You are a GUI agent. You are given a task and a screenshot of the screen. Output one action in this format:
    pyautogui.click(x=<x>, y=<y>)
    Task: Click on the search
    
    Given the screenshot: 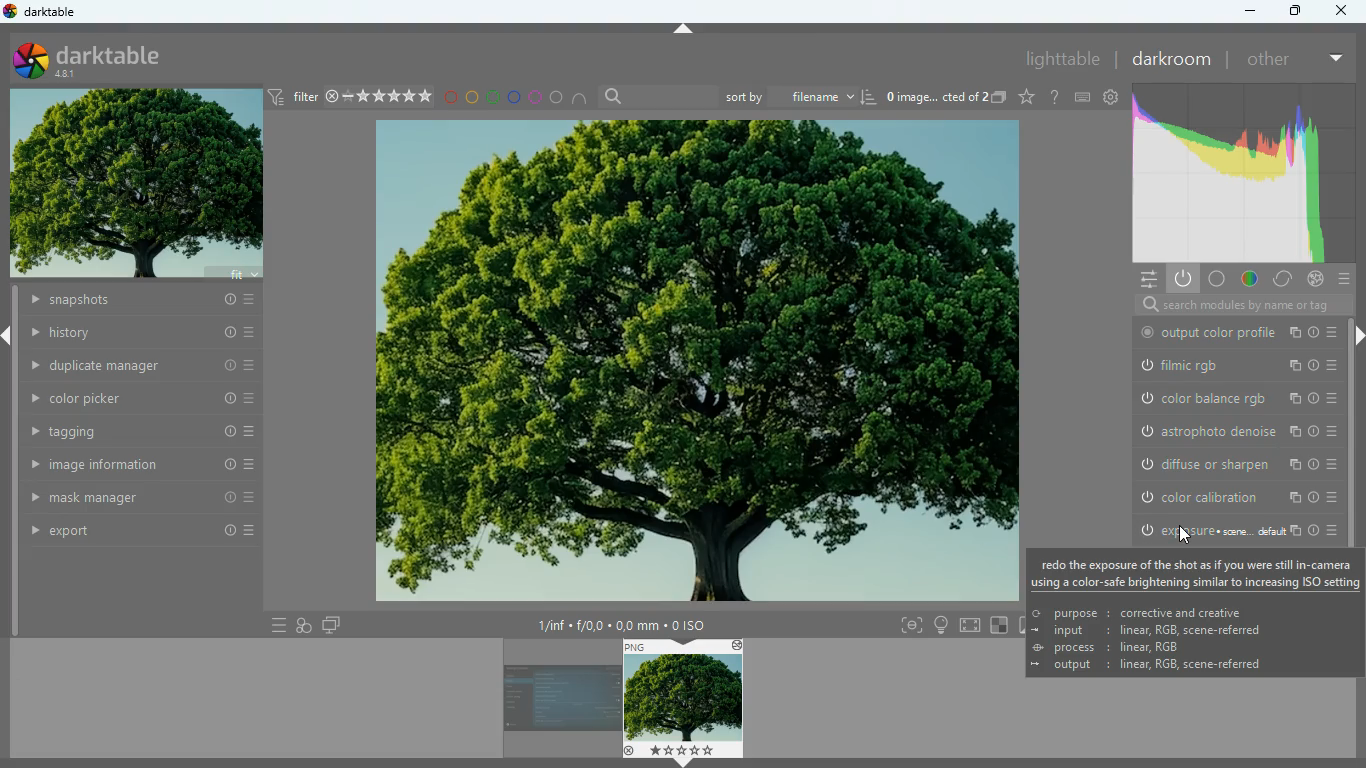 What is the action you would take?
    pyautogui.click(x=1235, y=304)
    